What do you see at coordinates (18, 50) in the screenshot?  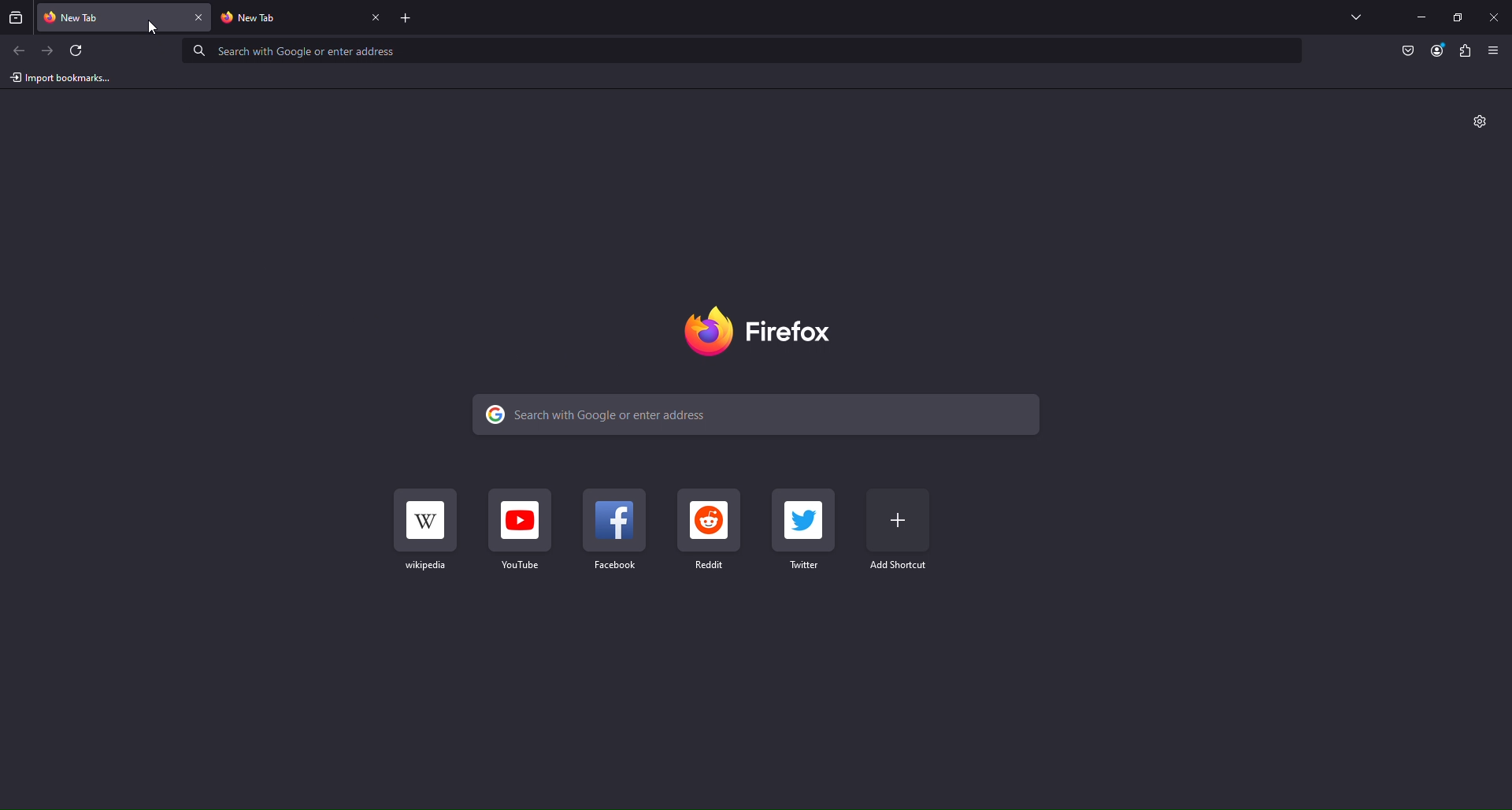 I see `Back` at bounding box center [18, 50].